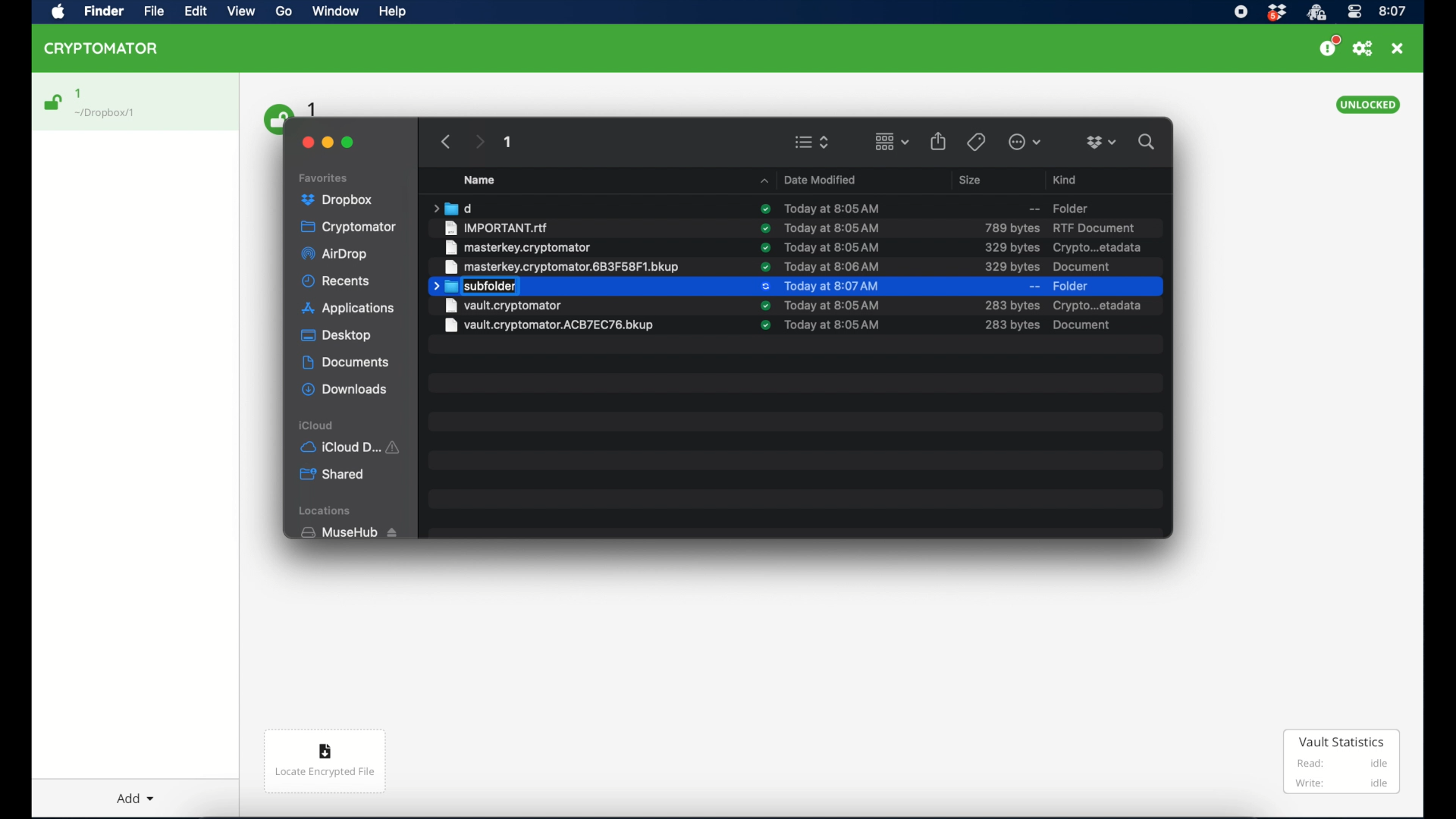 The width and height of the screenshot is (1456, 819). Describe the element at coordinates (340, 14) in the screenshot. I see `Window` at that location.